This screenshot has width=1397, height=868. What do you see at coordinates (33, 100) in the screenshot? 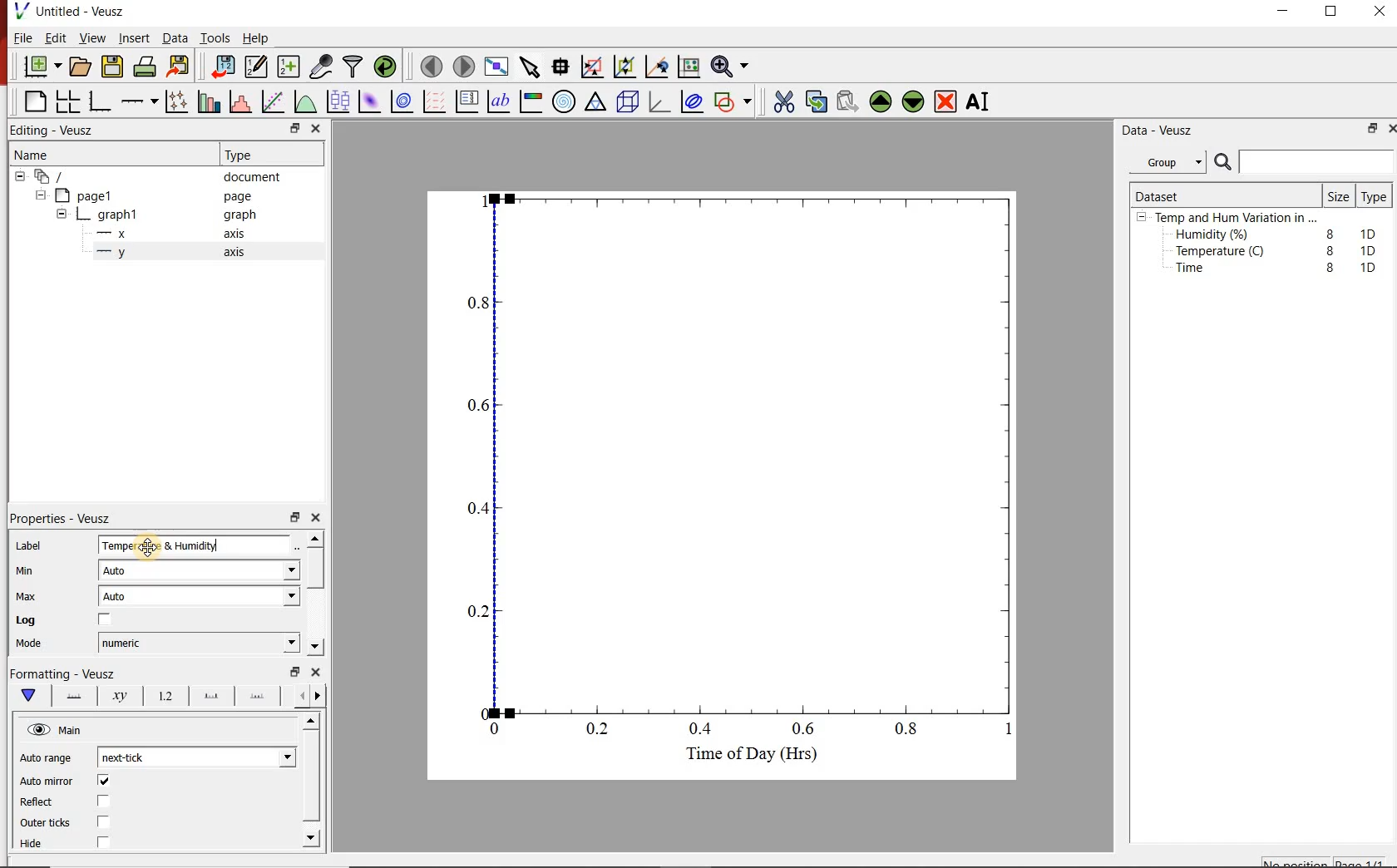
I see `blank page` at bounding box center [33, 100].